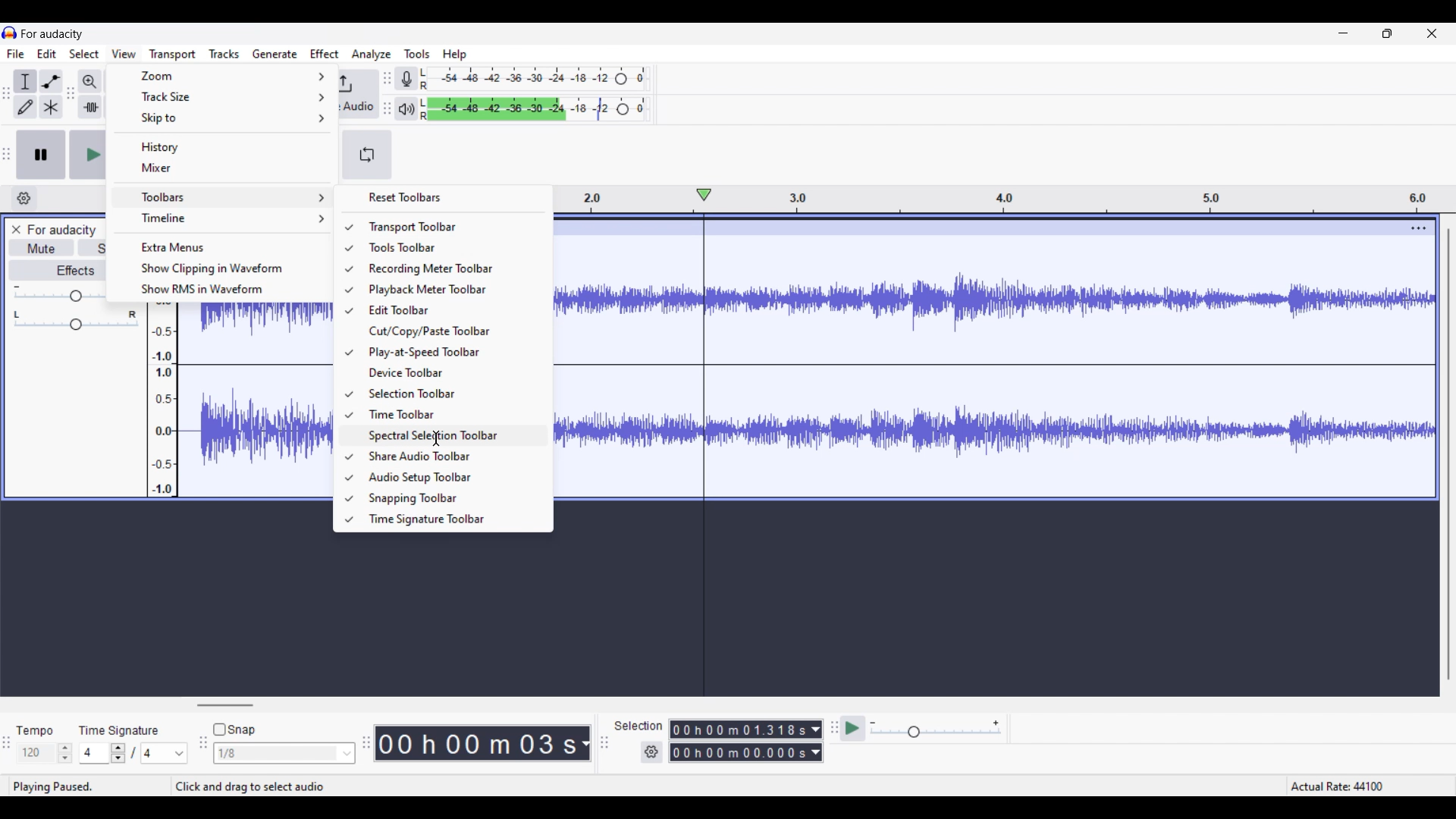 This screenshot has width=1456, height=819. Describe the element at coordinates (275, 53) in the screenshot. I see `Generate menu` at that location.